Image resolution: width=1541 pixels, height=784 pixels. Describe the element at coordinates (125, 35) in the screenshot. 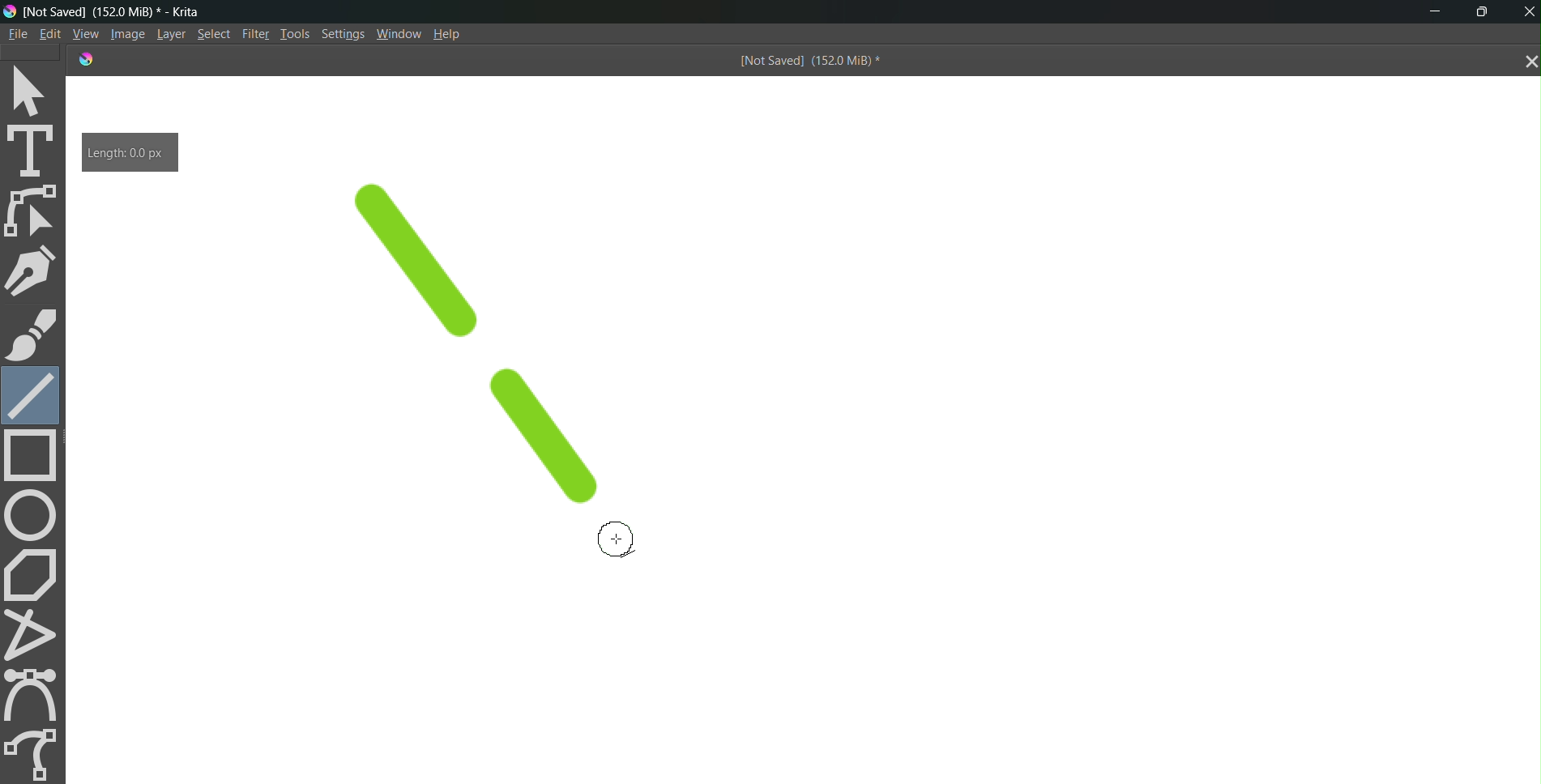

I see `Image` at that location.